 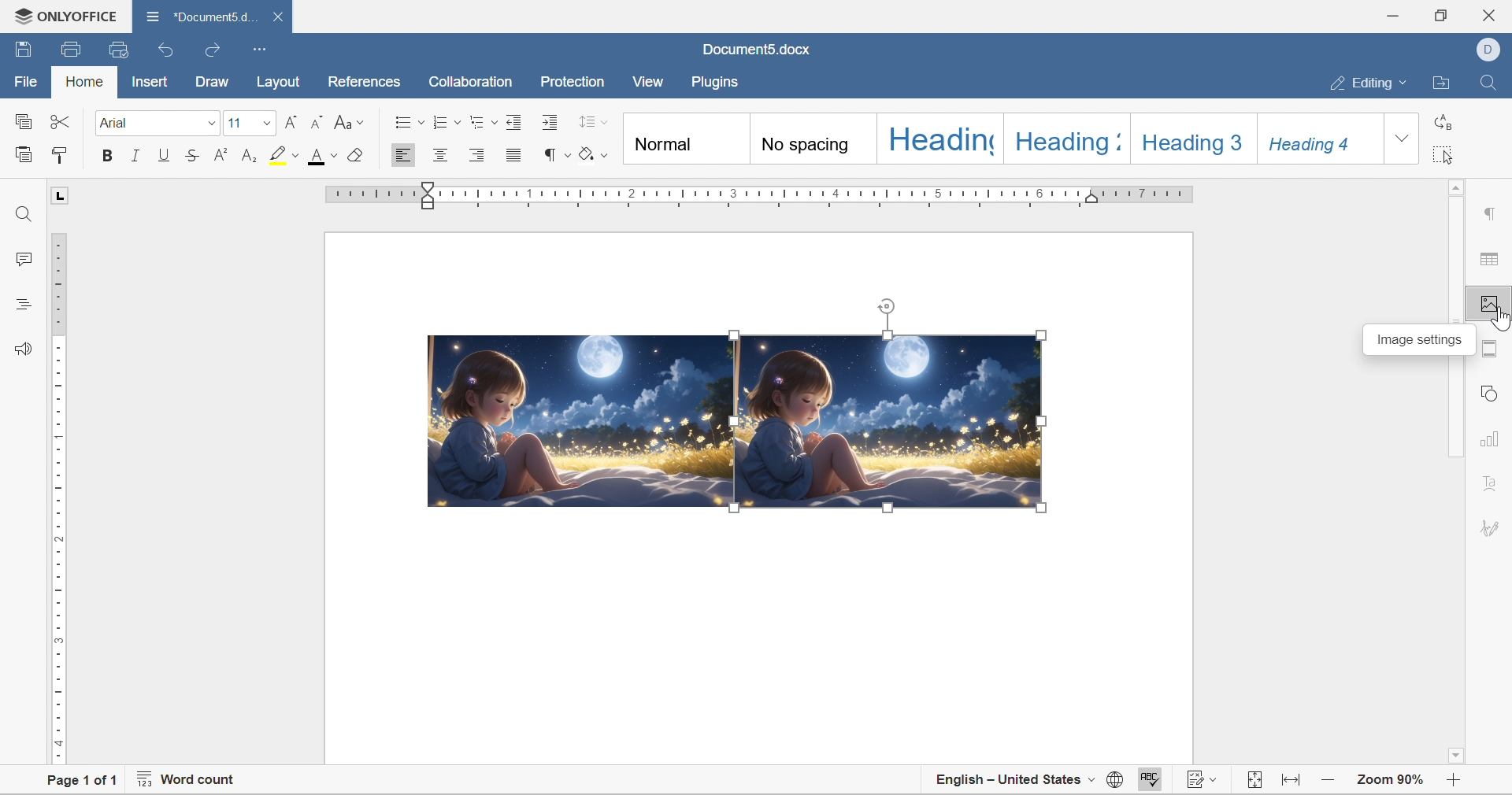 What do you see at coordinates (192, 155) in the screenshot?
I see `strikethrough` at bounding box center [192, 155].